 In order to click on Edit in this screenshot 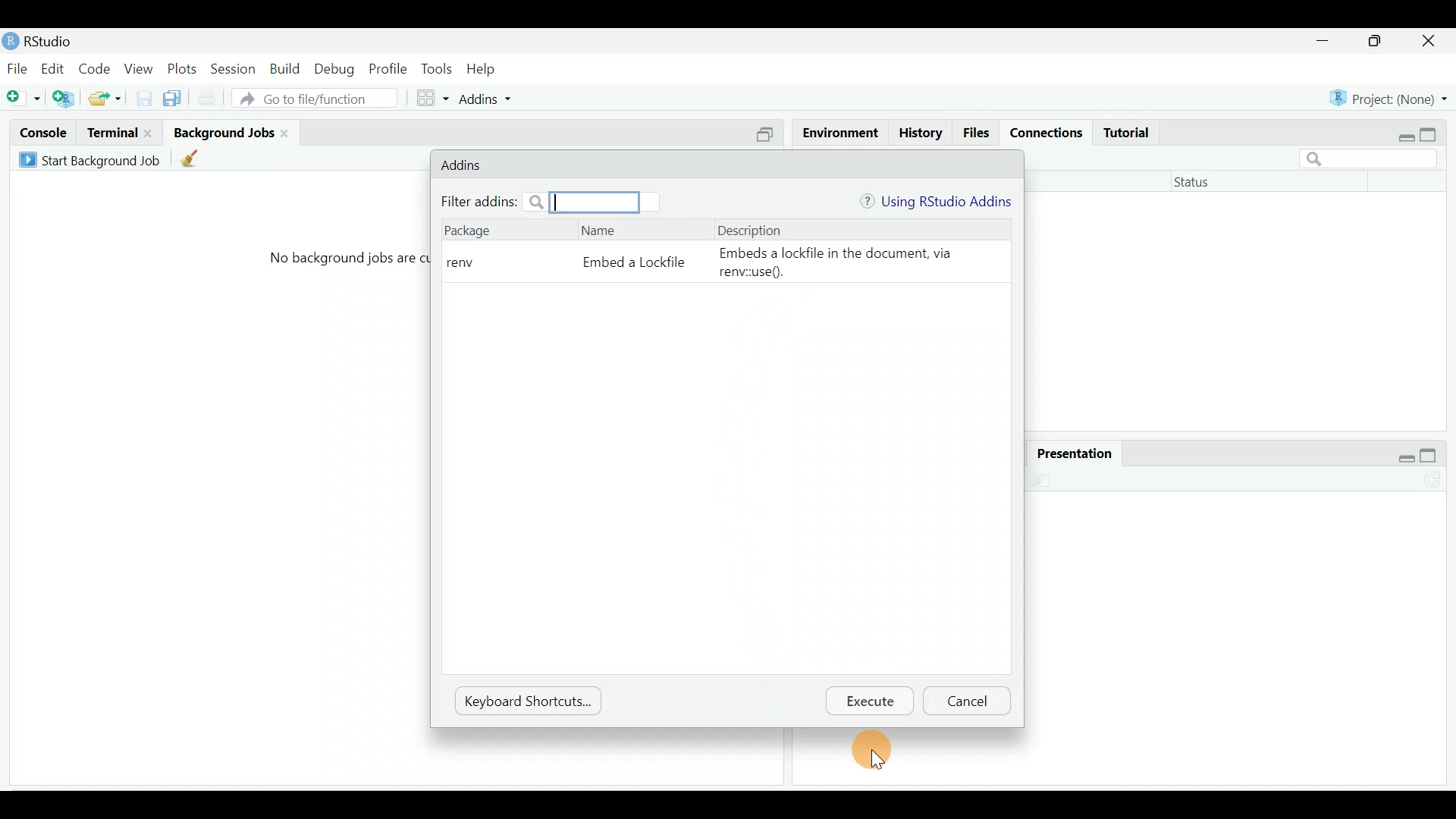, I will do `click(55, 67)`.